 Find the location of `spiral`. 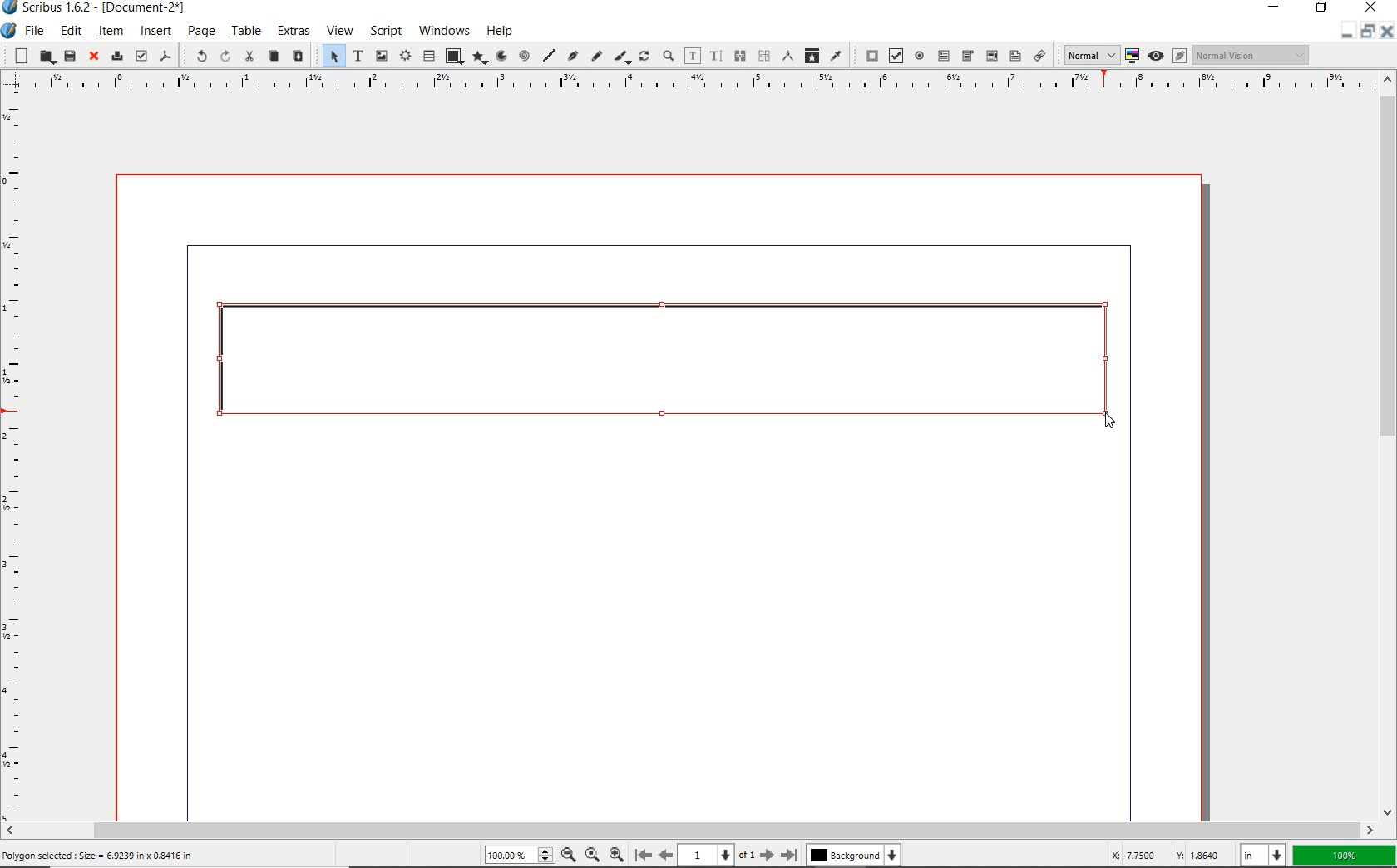

spiral is located at coordinates (526, 56).